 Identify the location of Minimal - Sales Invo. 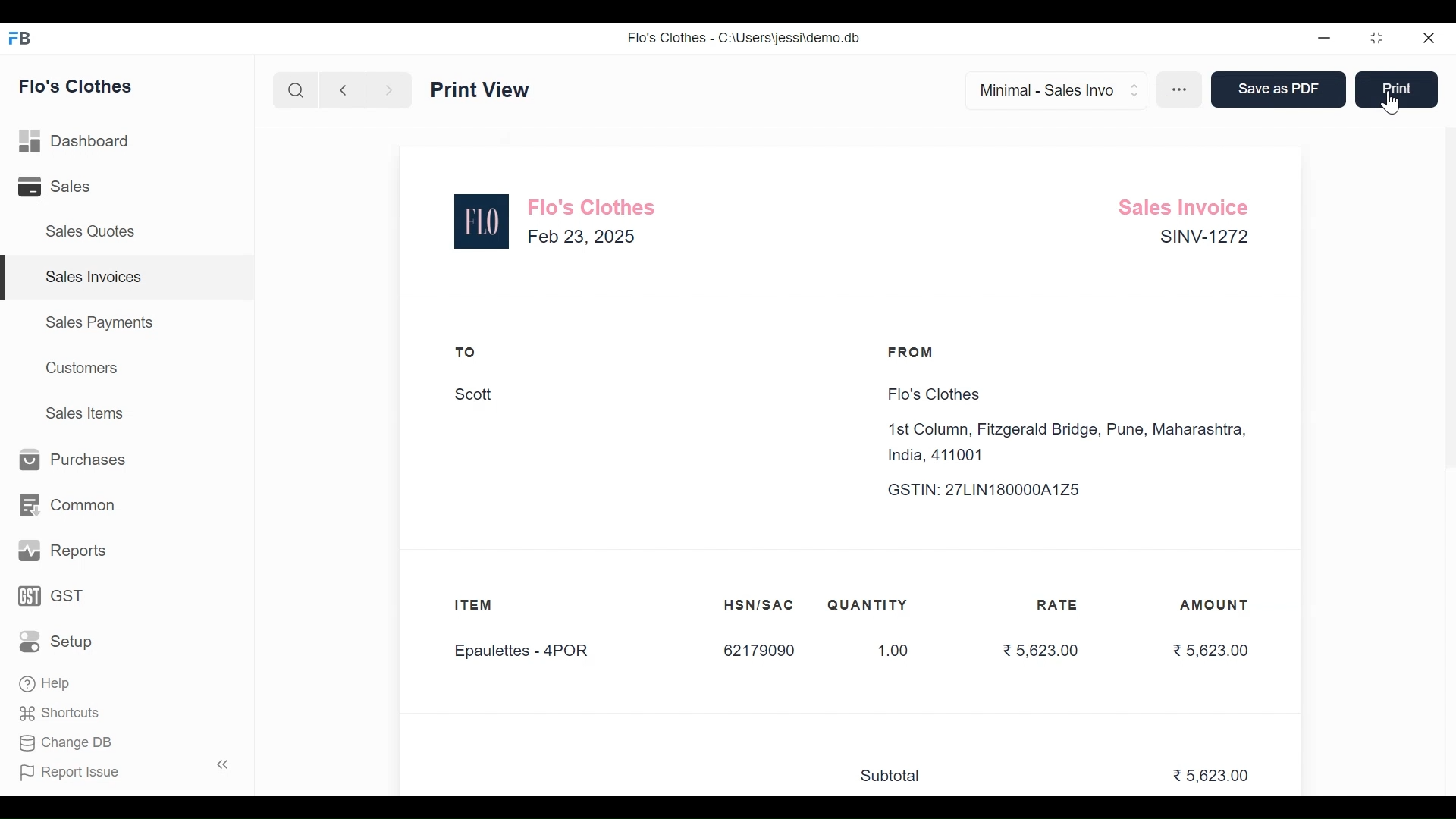
(1050, 89).